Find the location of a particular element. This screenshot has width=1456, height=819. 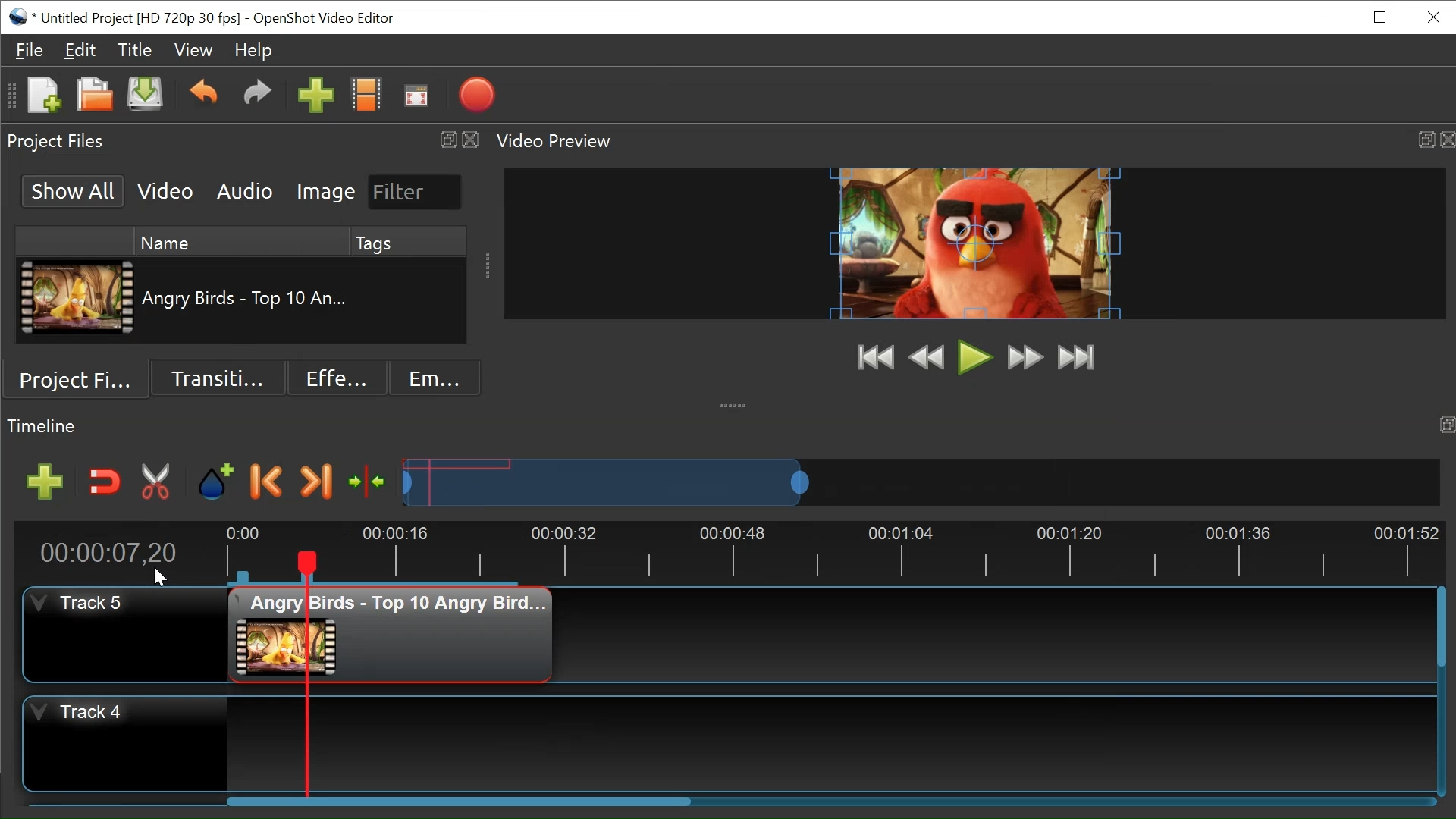

Marker is located at coordinates (216, 479).